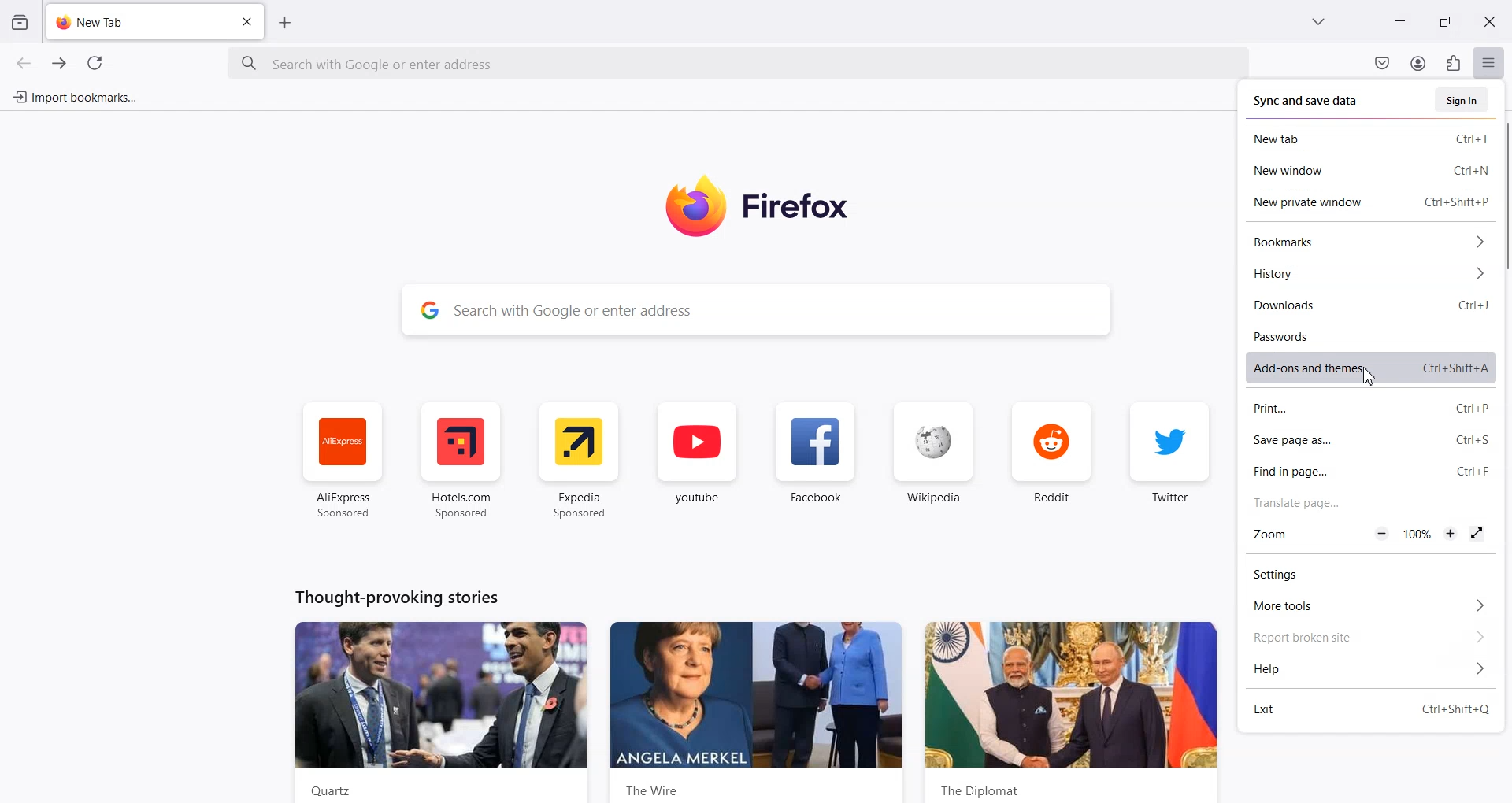 The height and width of the screenshot is (803, 1512). Describe the element at coordinates (1366, 439) in the screenshot. I see `Save Page as` at that location.